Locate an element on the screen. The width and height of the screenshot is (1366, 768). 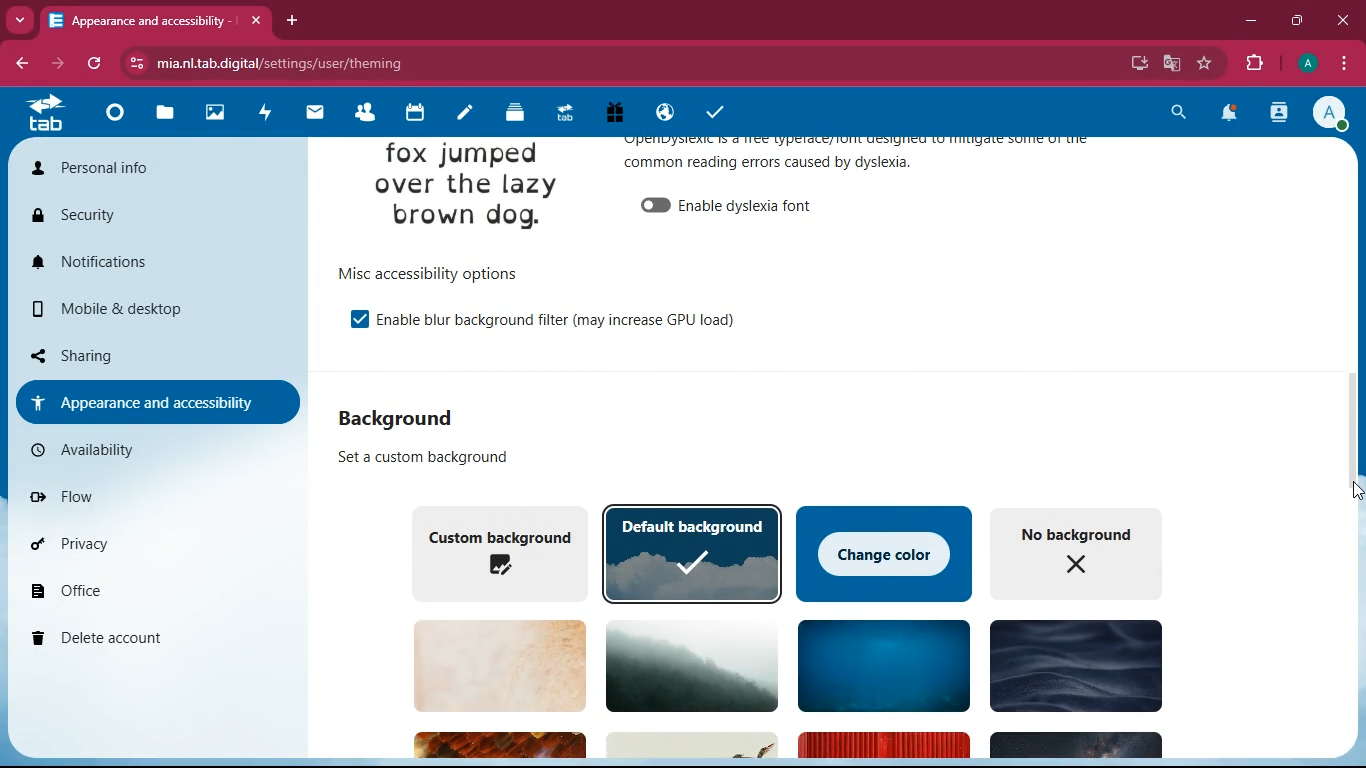
notifications is located at coordinates (1232, 114).